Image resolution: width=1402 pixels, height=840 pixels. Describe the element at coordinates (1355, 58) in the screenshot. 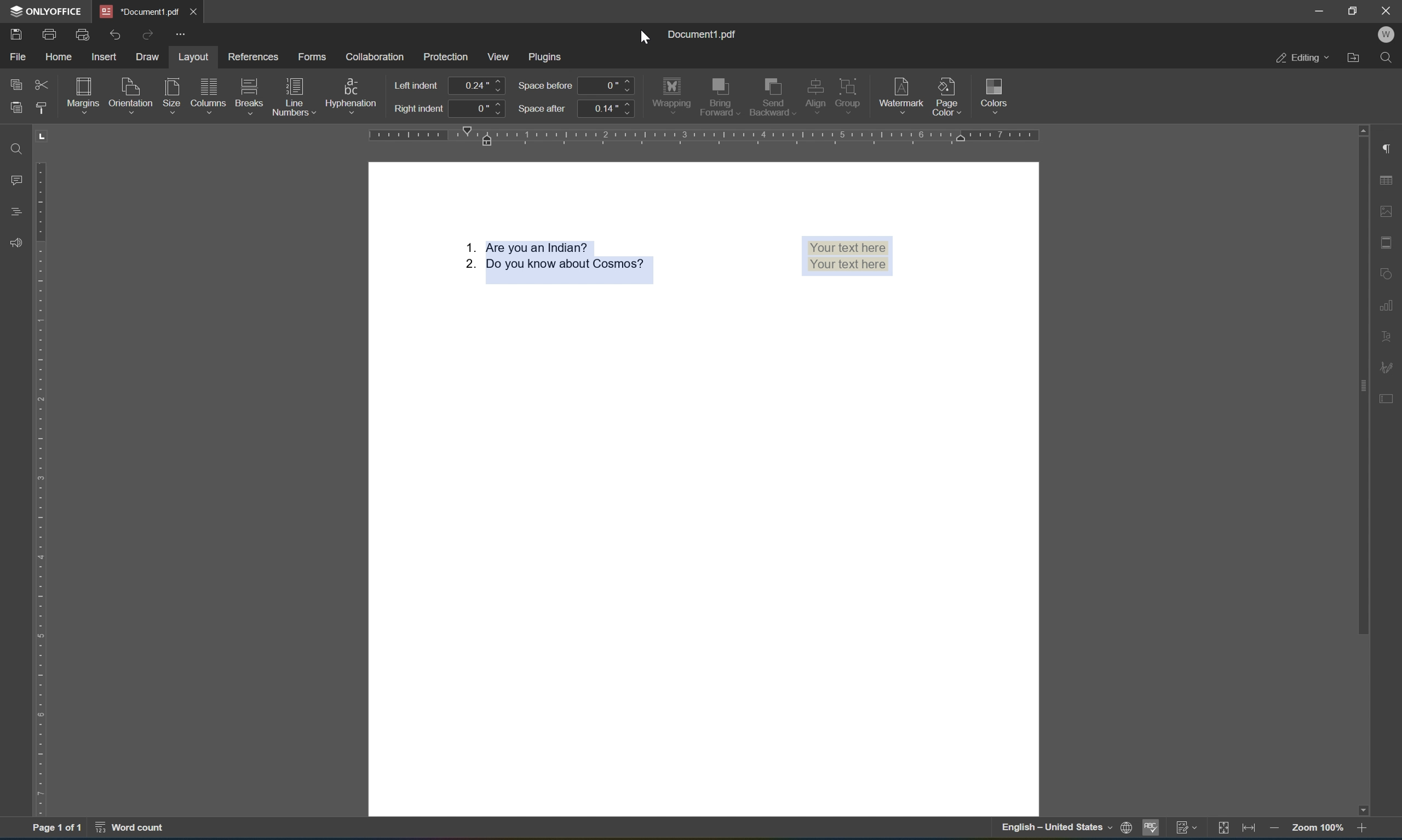

I see `open file location` at that location.